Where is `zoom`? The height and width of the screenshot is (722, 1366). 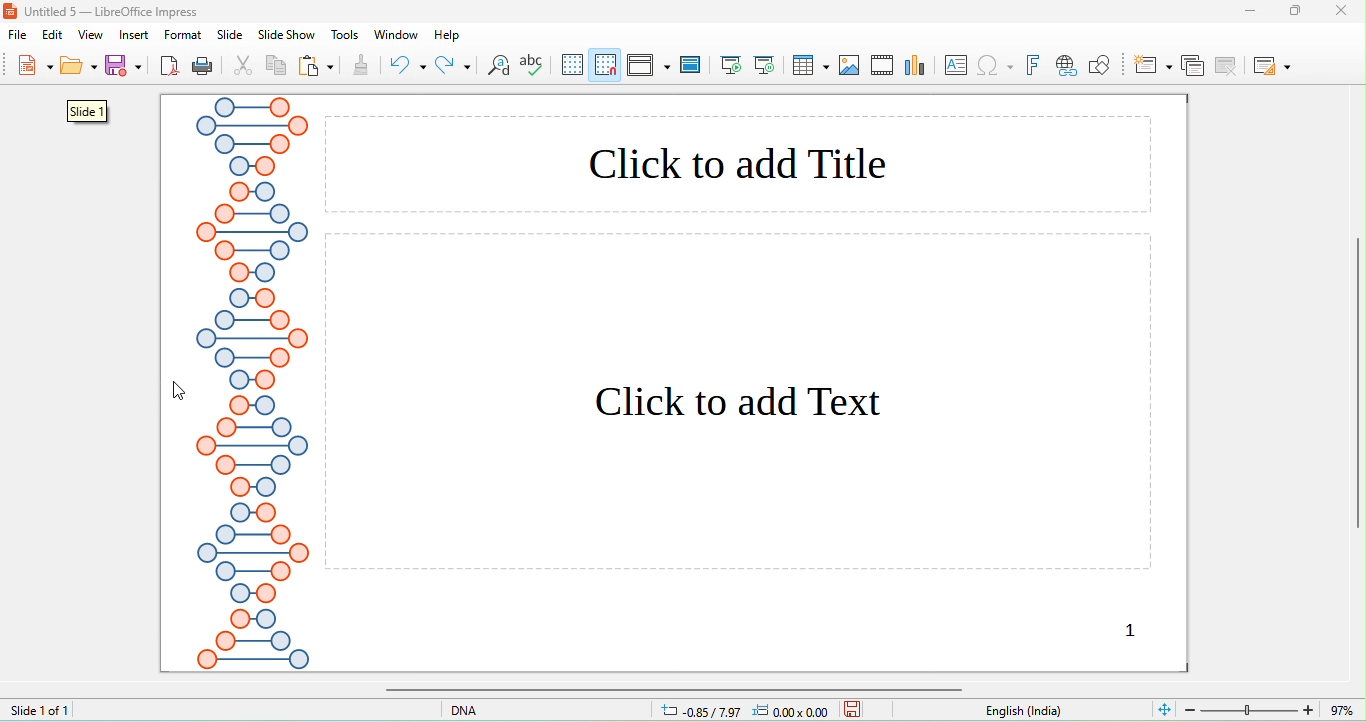
zoom is located at coordinates (1273, 708).